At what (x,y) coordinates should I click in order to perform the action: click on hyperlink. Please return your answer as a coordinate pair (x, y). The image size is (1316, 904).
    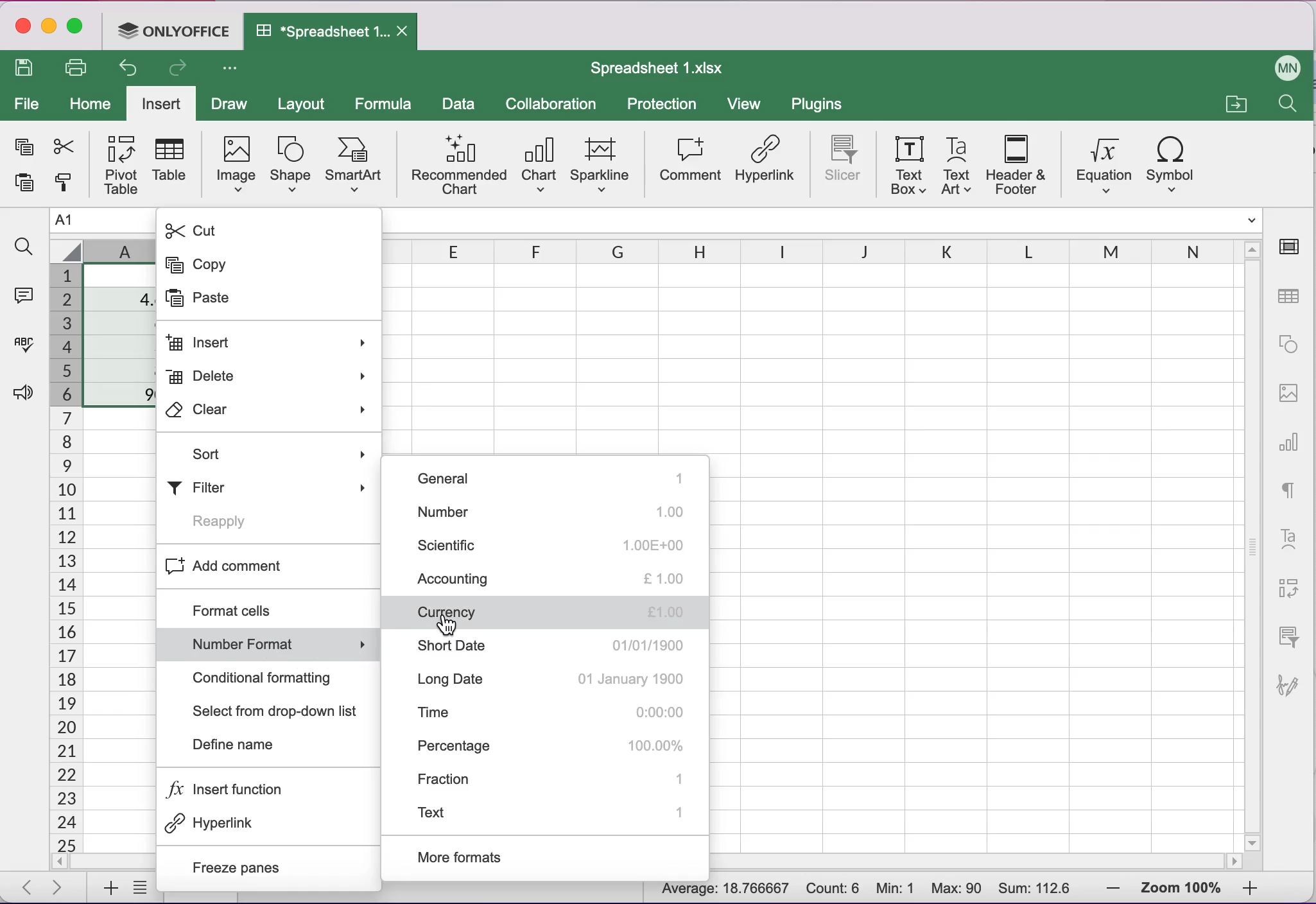
    Looking at the image, I should click on (767, 164).